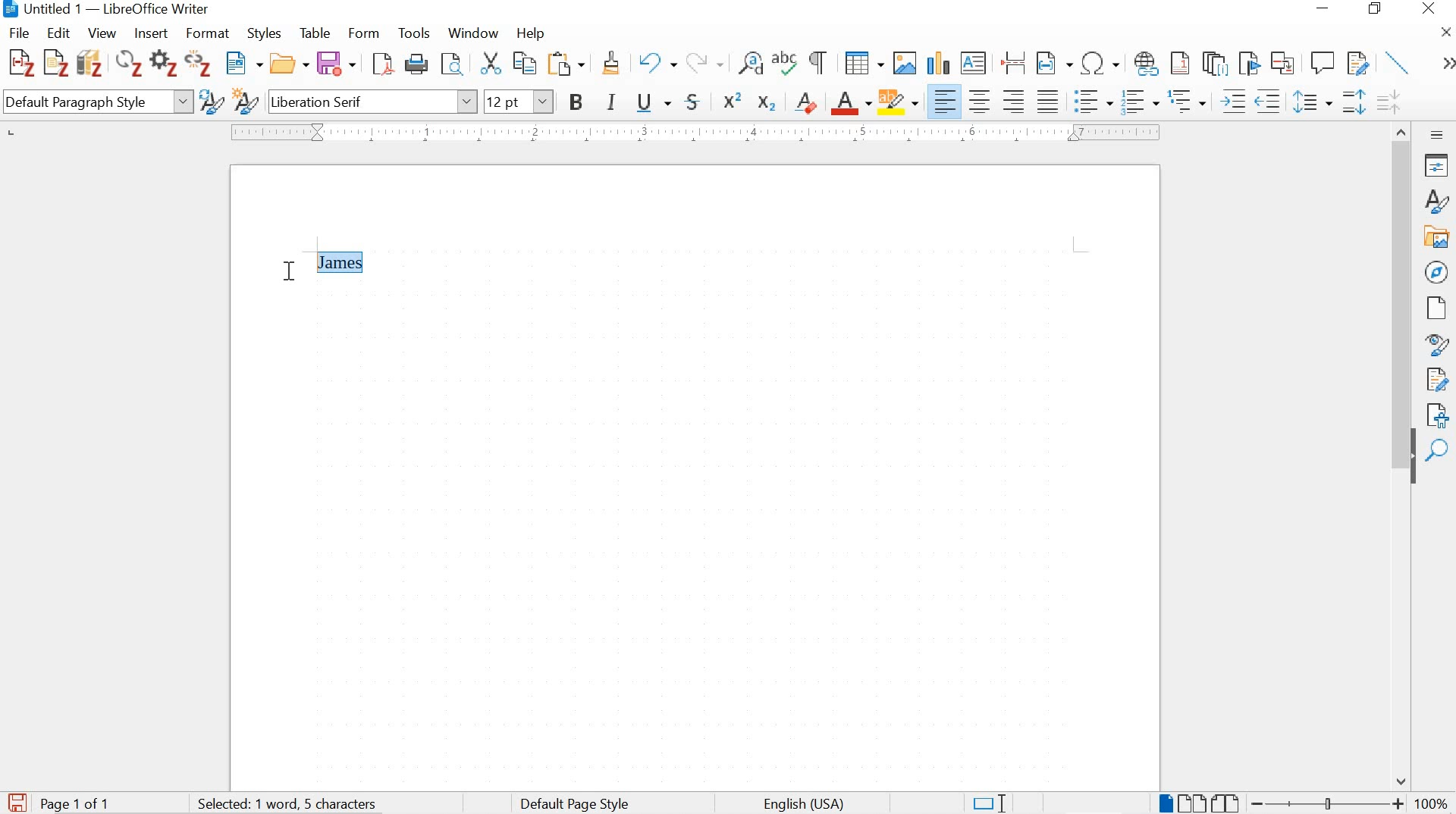  I want to click on insert text box, so click(974, 64).